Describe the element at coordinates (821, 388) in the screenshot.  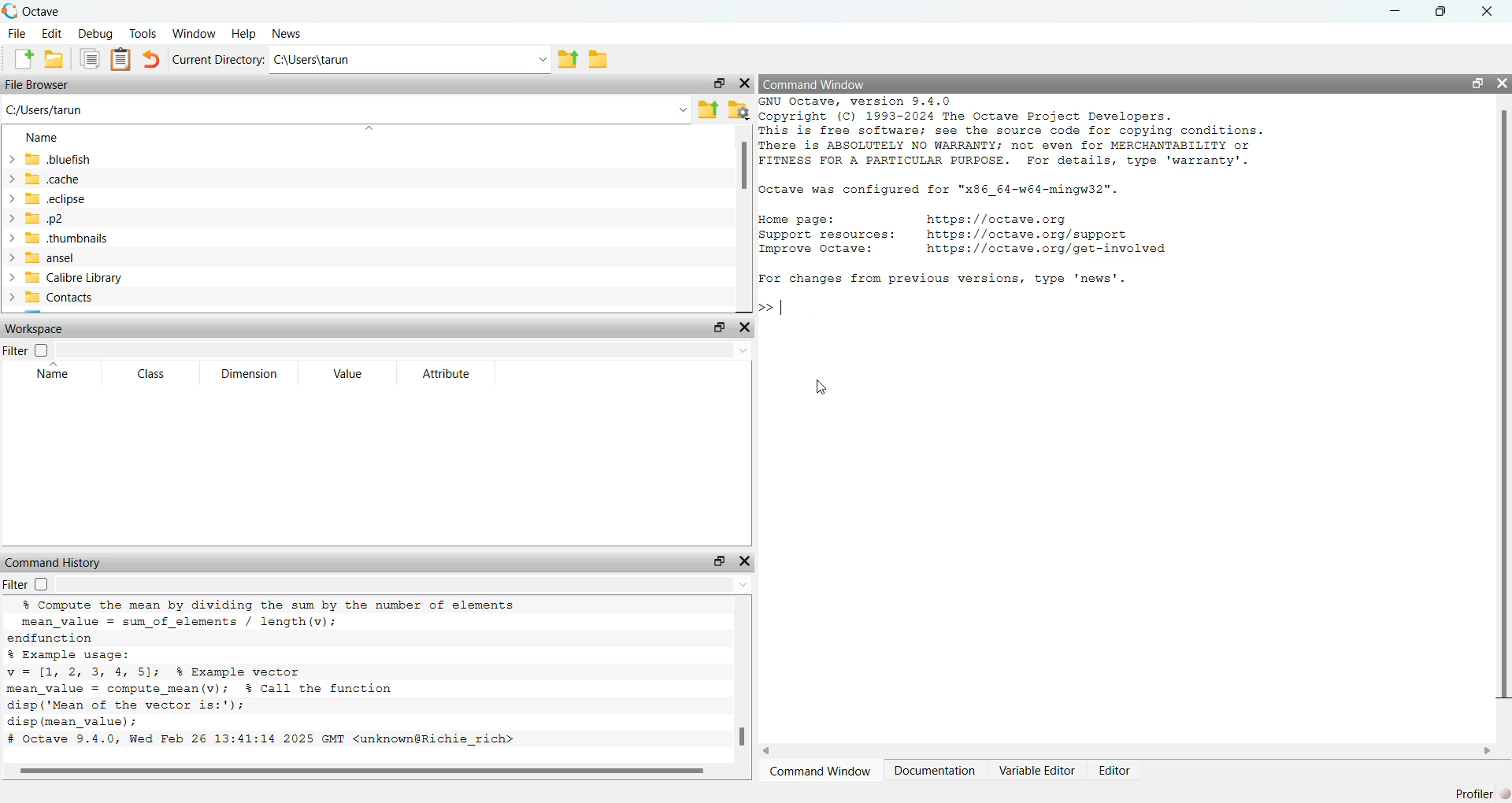
I see `cursor` at that location.